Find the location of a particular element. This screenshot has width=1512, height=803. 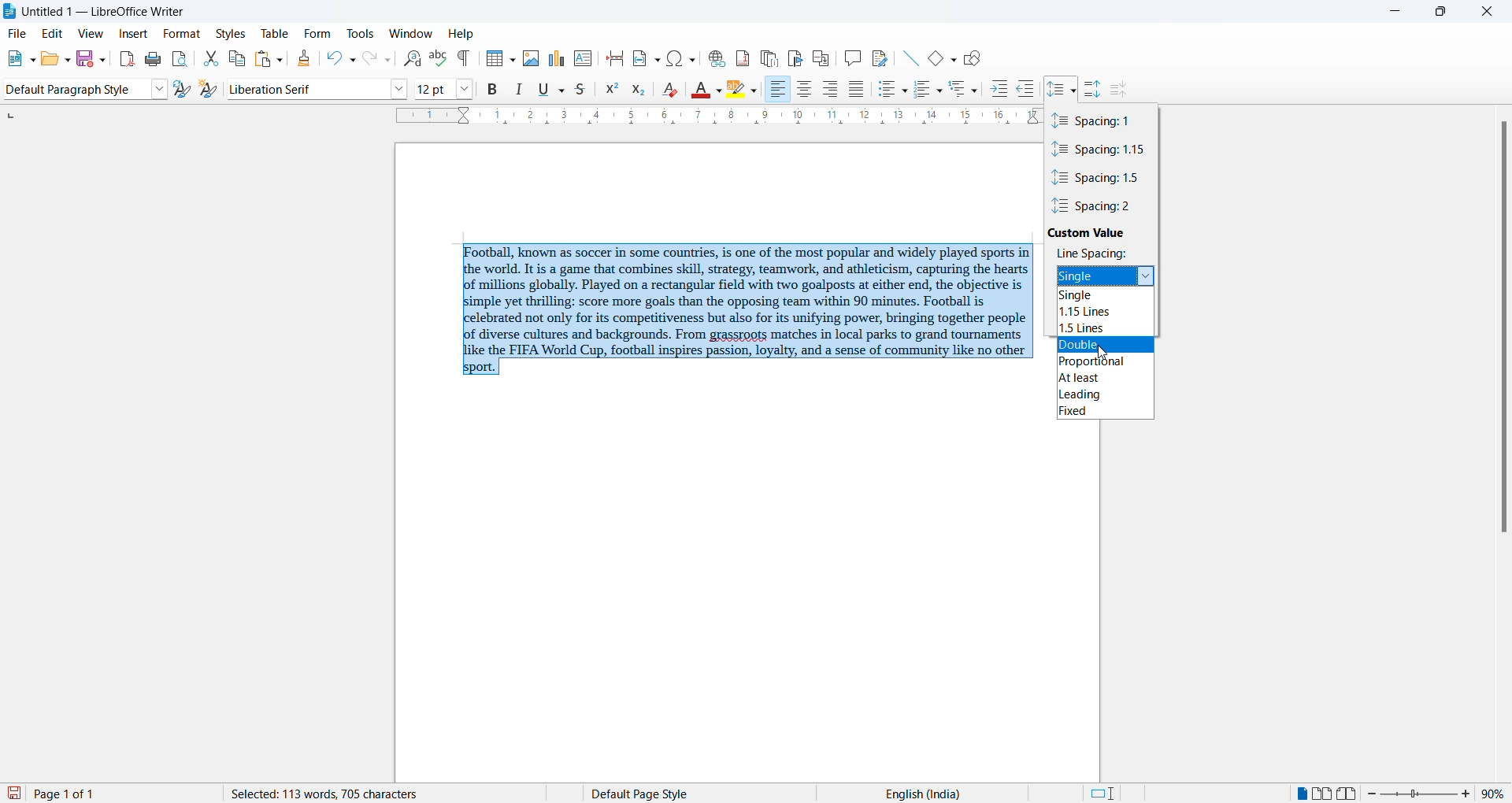

insert bookmark is located at coordinates (797, 58).